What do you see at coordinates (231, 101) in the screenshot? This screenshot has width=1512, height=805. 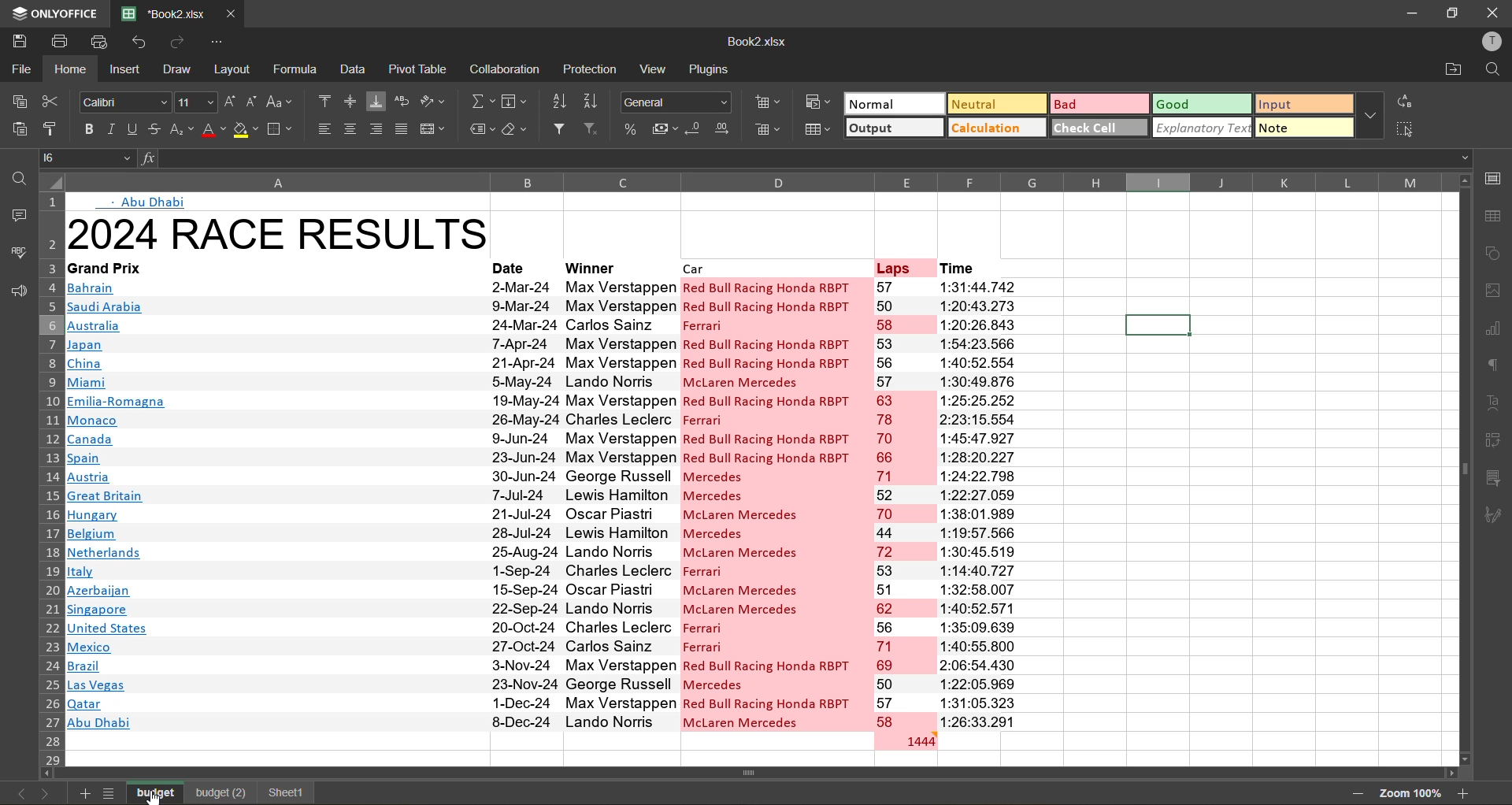 I see `increment size` at bounding box center [231, 101].